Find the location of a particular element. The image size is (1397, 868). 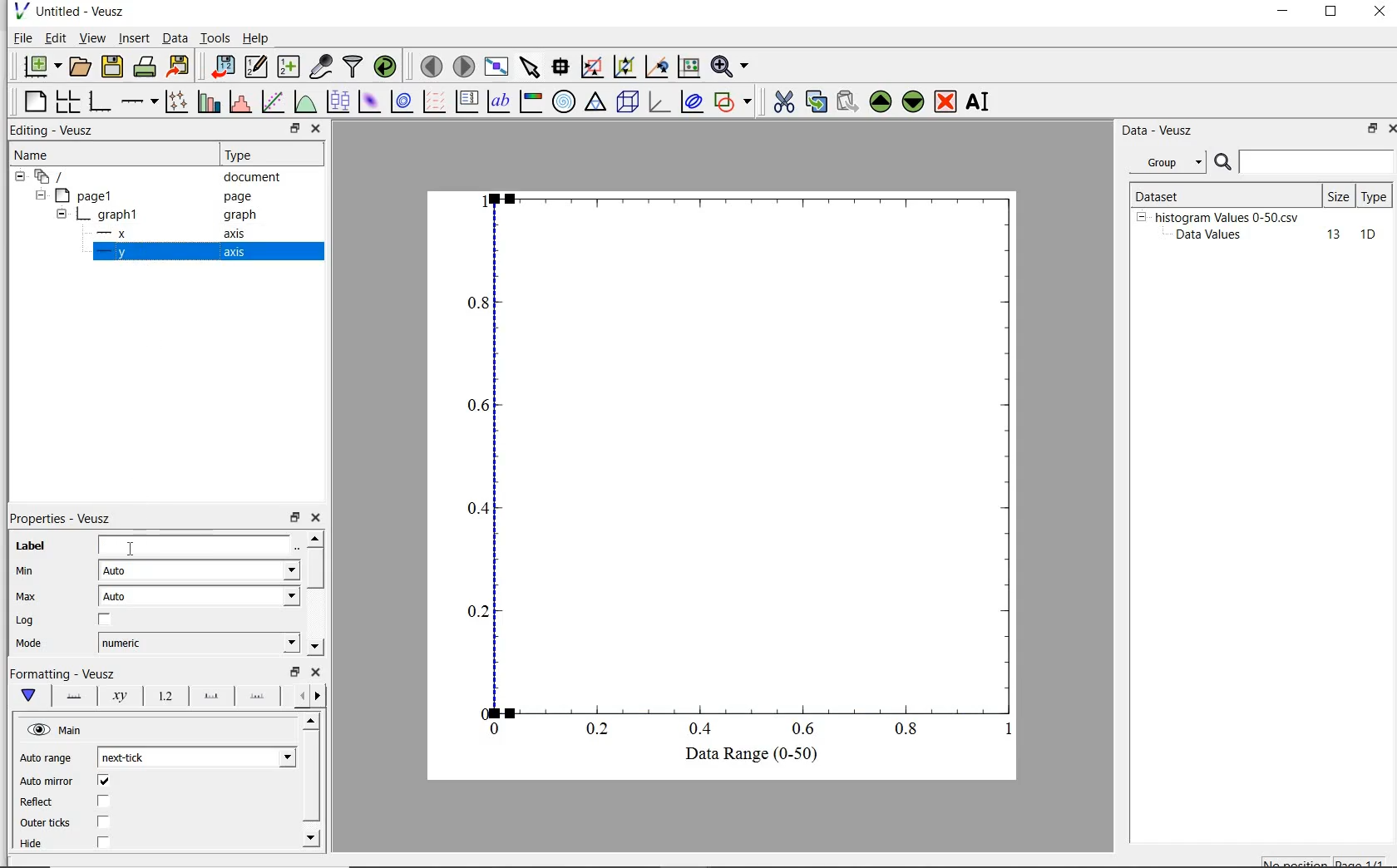

ternary graph is located at coordinates (596, 103).